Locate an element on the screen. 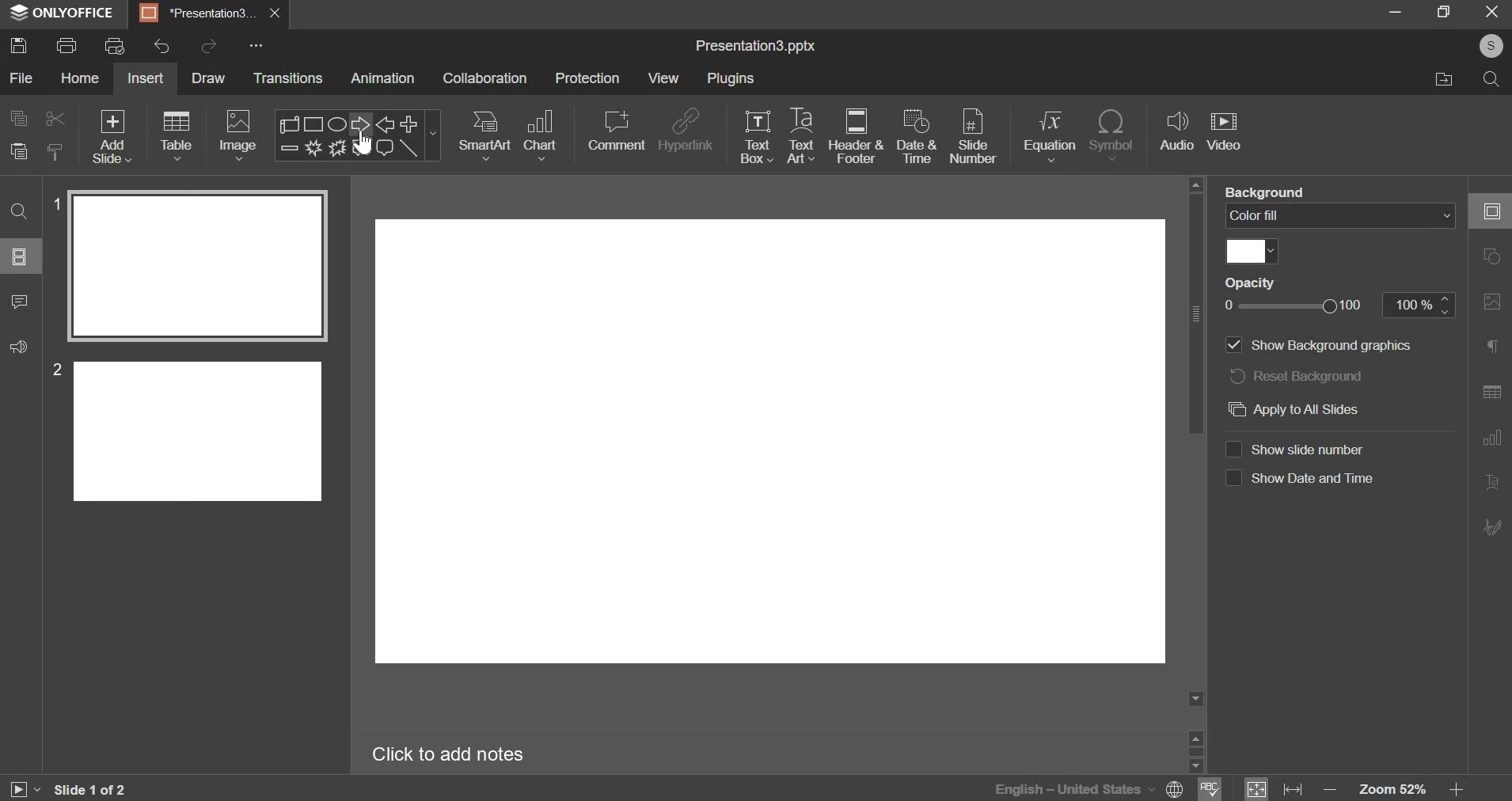  symbol is located at coordinates (1111, 135).